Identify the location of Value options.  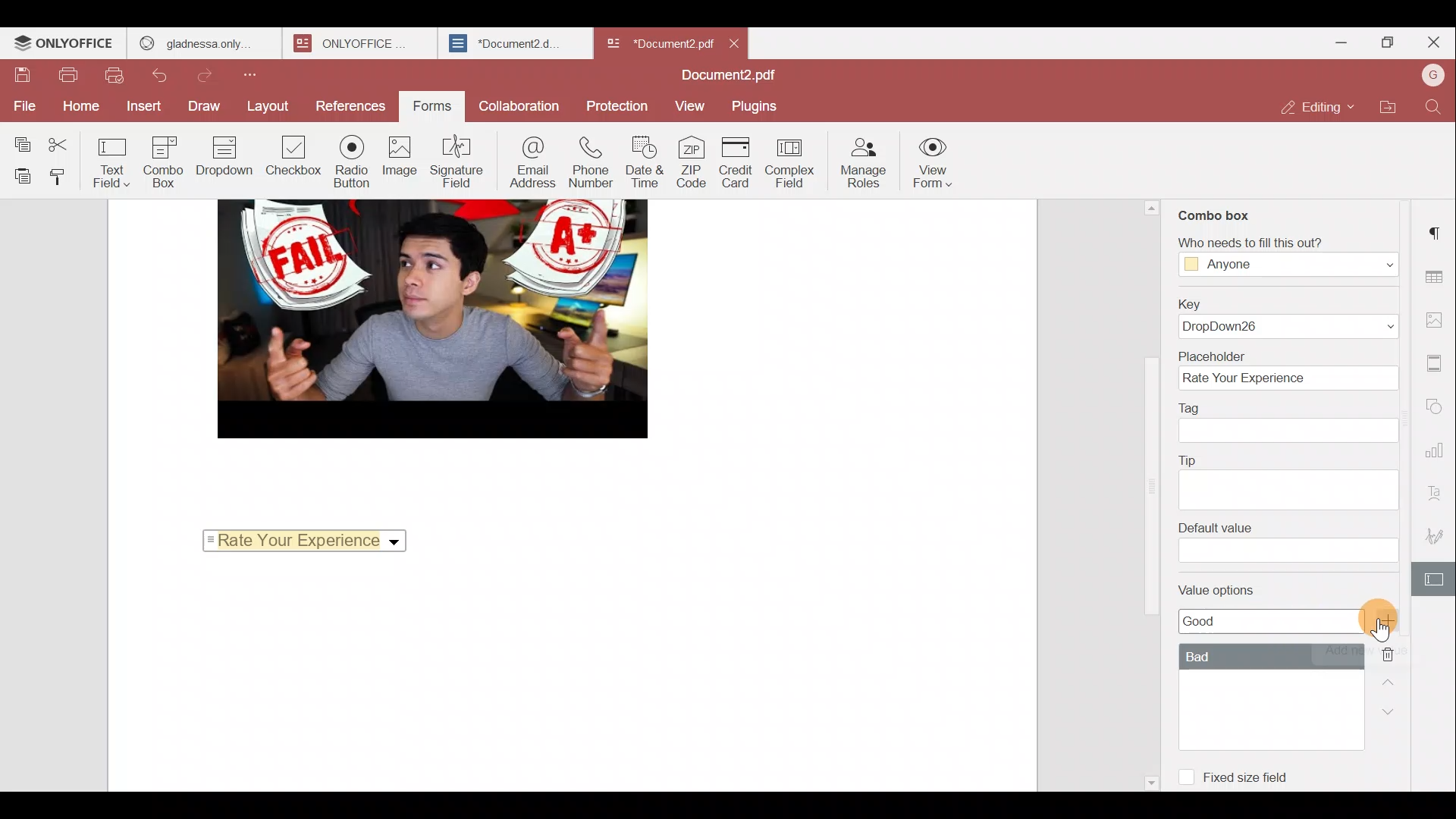
(1259, 658).